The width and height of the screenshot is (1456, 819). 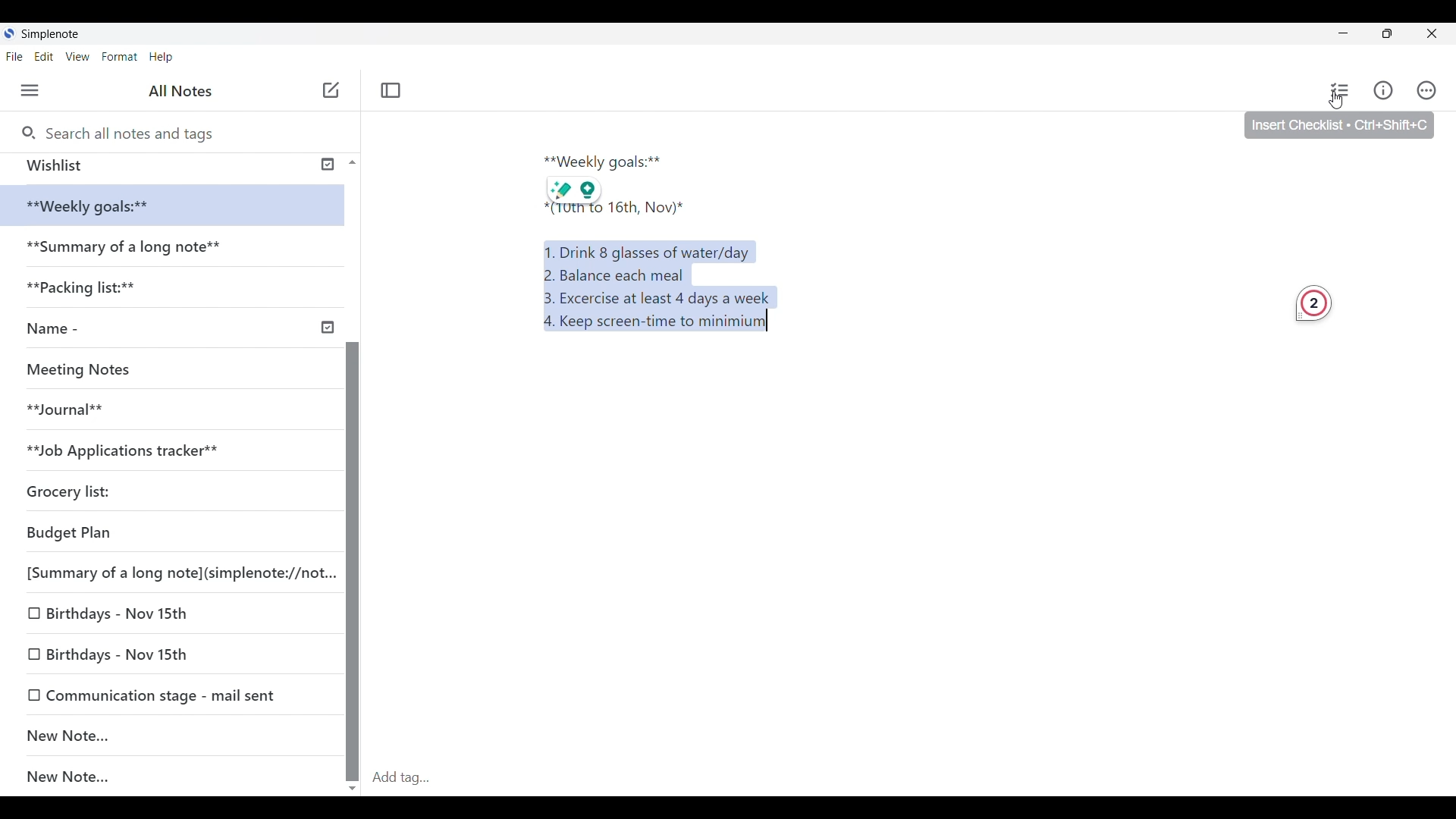 I want to click on grammarly assist pop up, so click(x=573, y=188).